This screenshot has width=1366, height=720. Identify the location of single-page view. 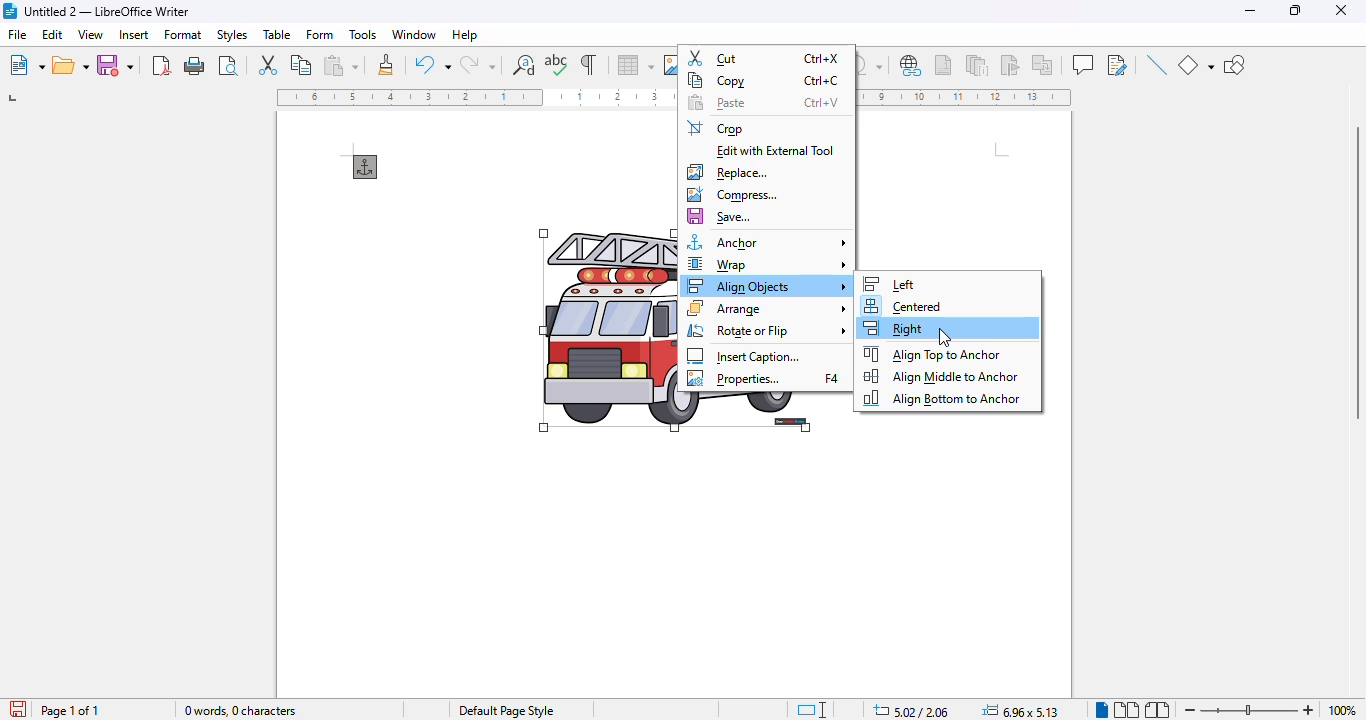
(1101, 710).